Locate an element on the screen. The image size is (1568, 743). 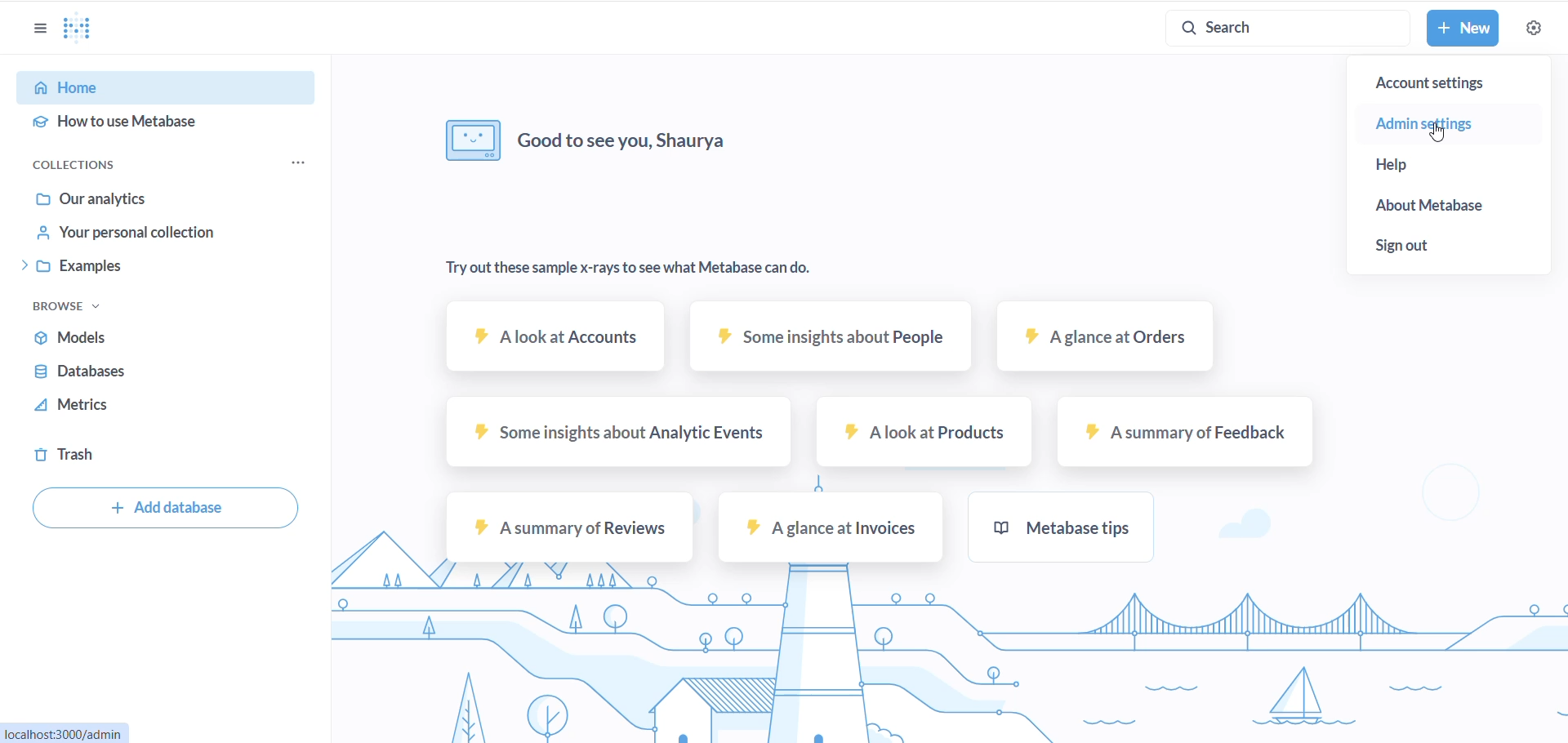
BROWSE is located at coordinates (69, 306).